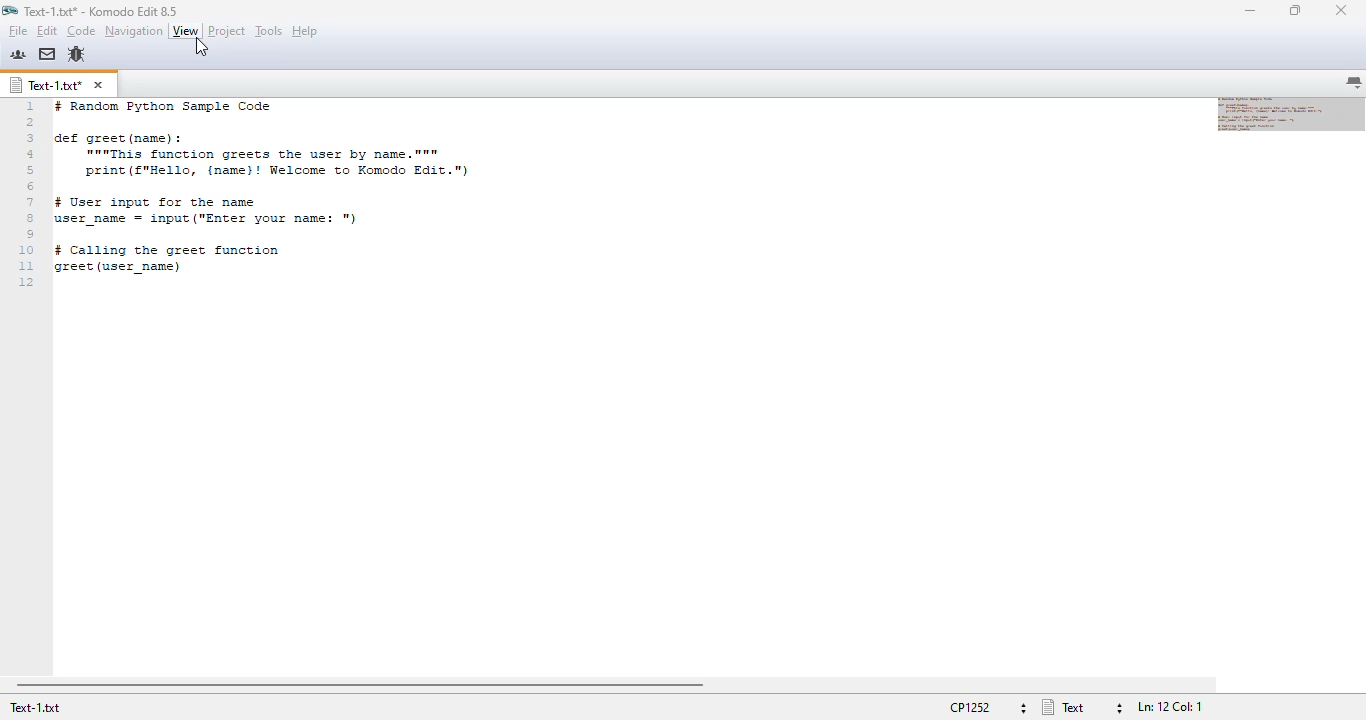 The height and width of the screenshot is (720, 1366). What do you see at coordinates (48, 30) in the screenshot?
I see `edit` at bounding box center [48, 30].